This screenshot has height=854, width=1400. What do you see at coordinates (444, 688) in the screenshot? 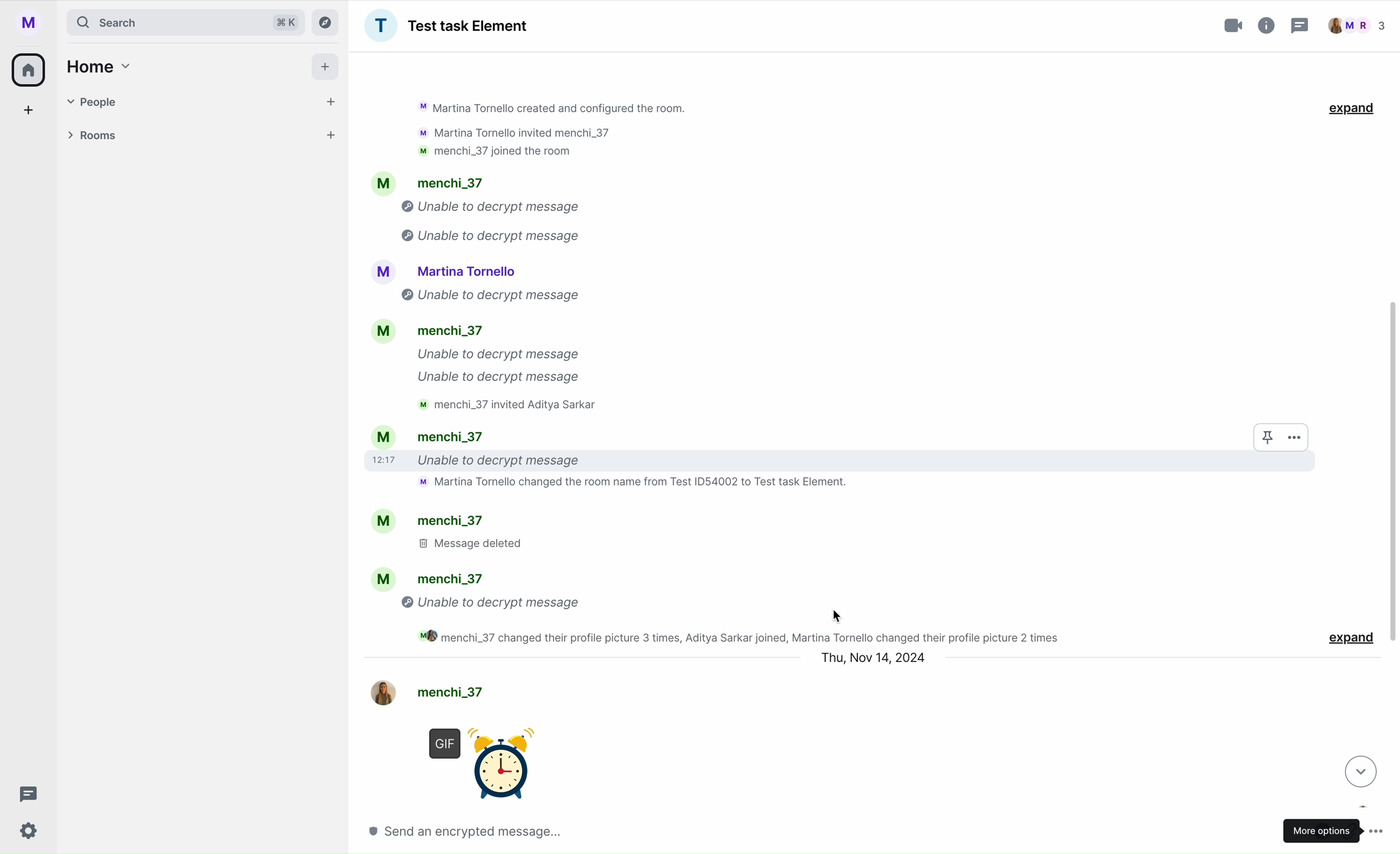
I see `menchi_37` at bounding box center [444, 688].